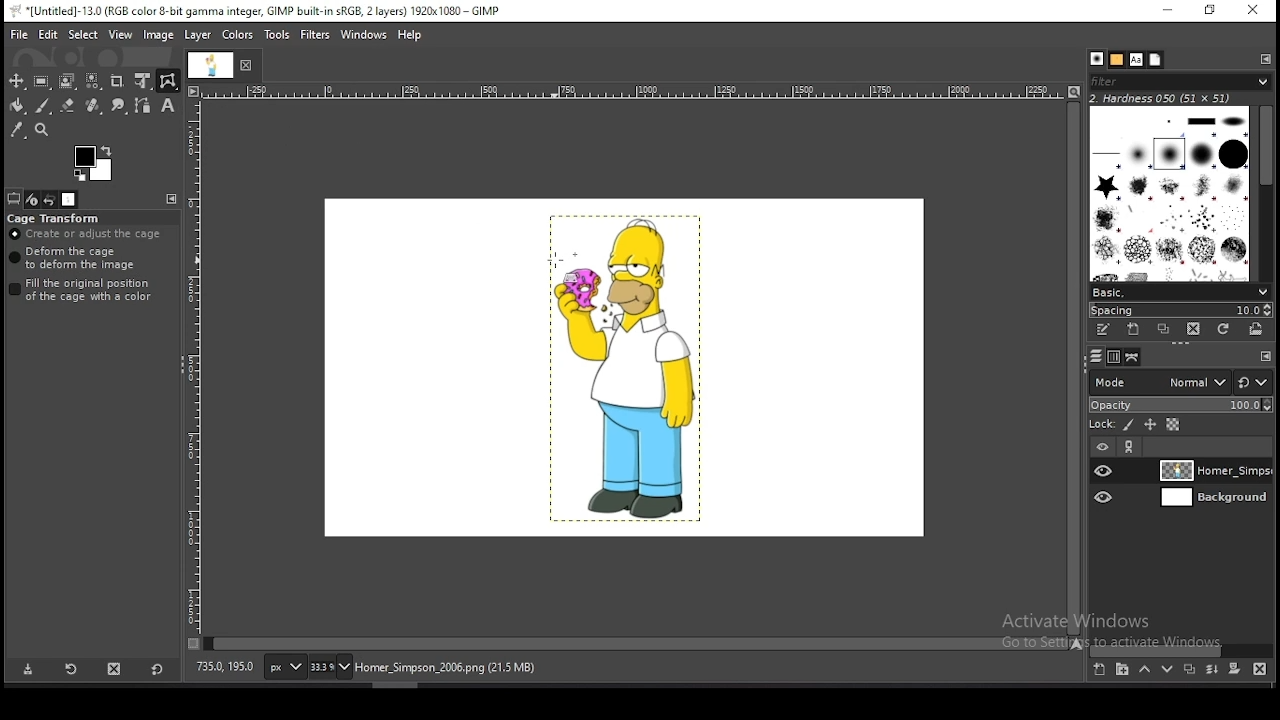  What do you see at coordinates (1099, 670) in the screenshot?
I see `create a new layer` at bounding box center [1099, 670].